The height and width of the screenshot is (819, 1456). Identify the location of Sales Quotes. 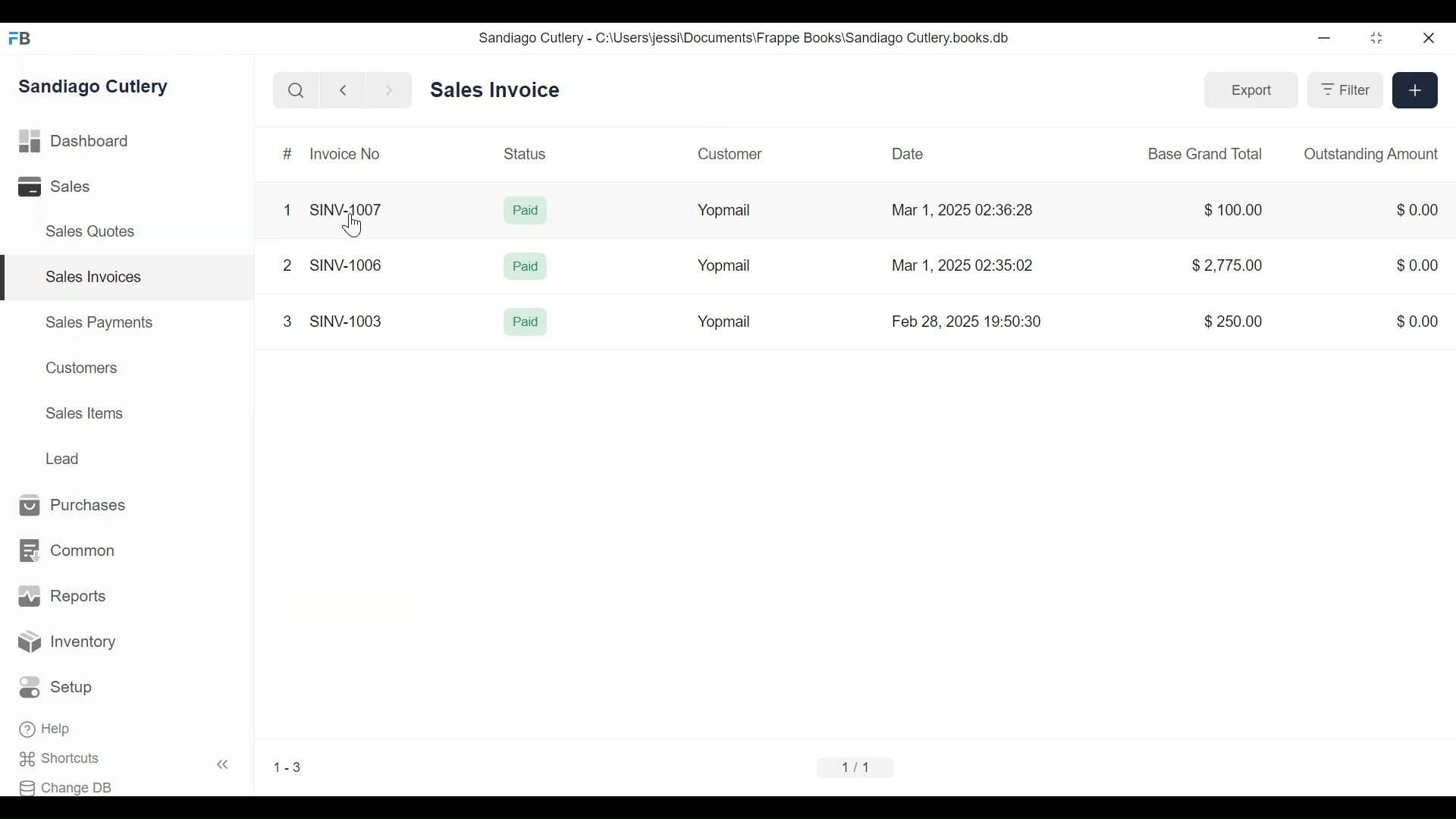
(93, 231).